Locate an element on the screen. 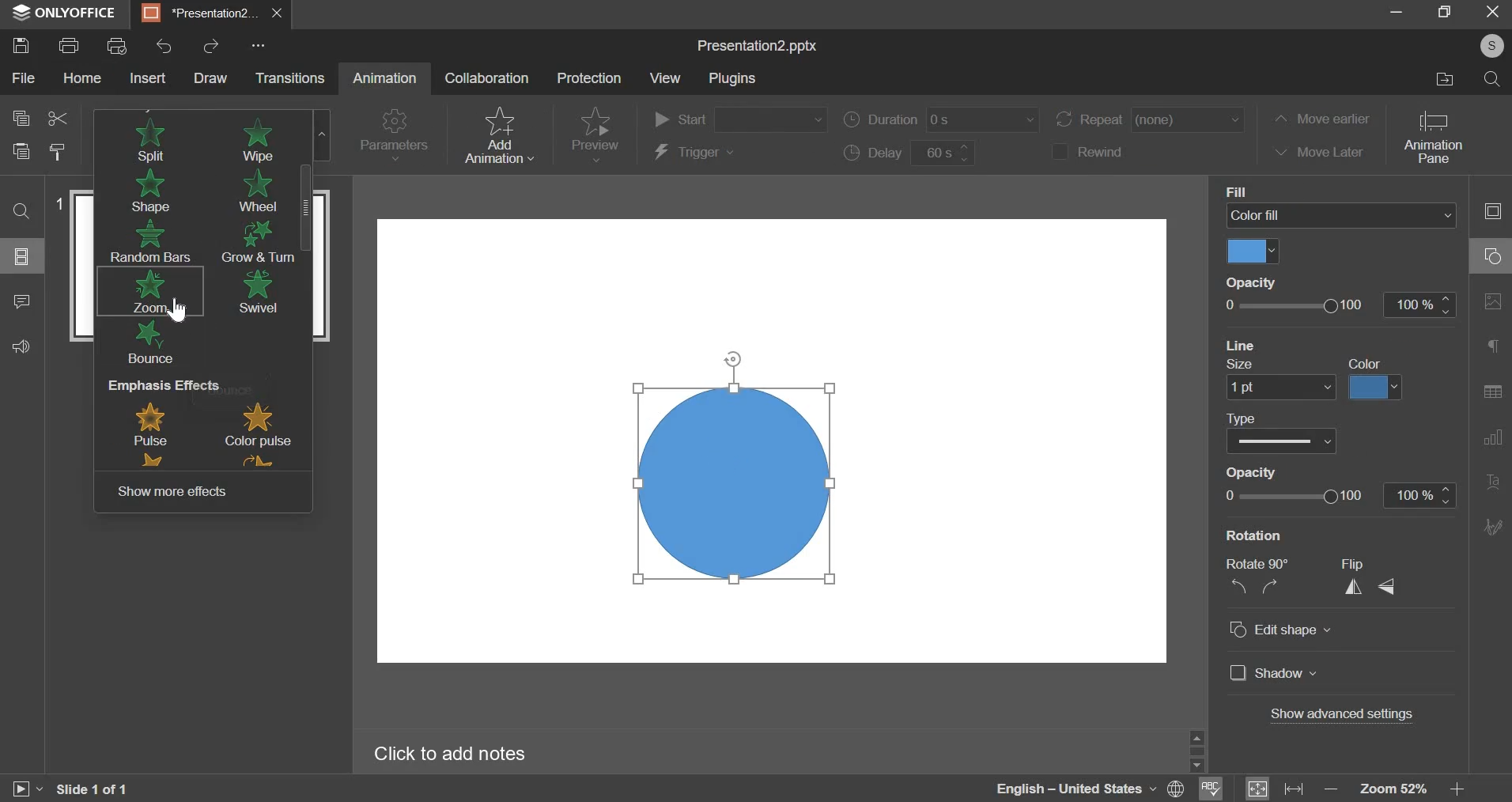  print preview is located at coordinates (119, 46).